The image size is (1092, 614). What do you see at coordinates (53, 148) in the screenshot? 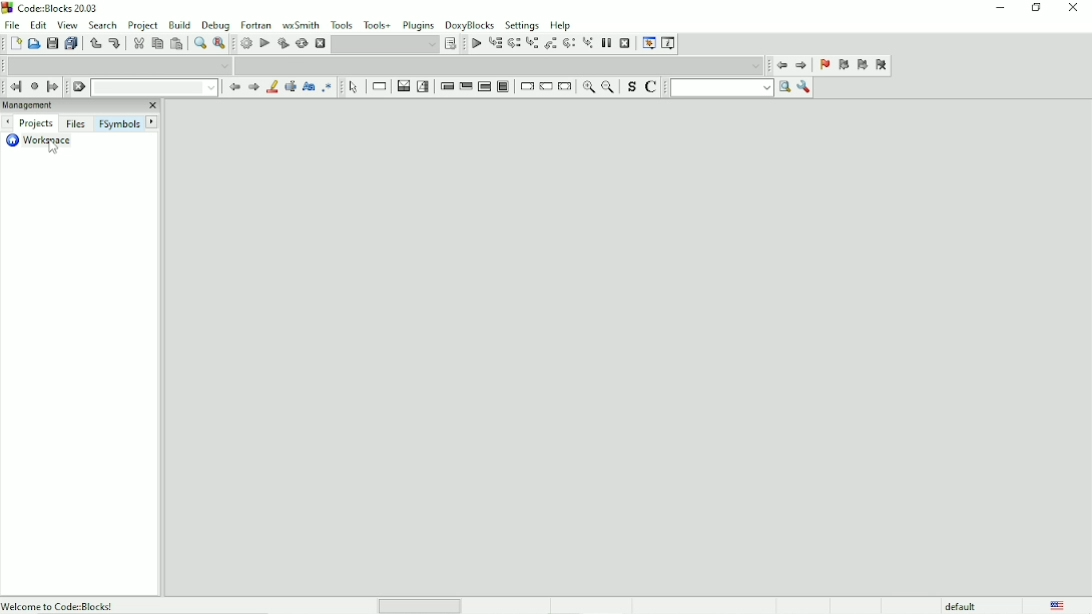
I see `Cursor` at bounding box center [53, 148].